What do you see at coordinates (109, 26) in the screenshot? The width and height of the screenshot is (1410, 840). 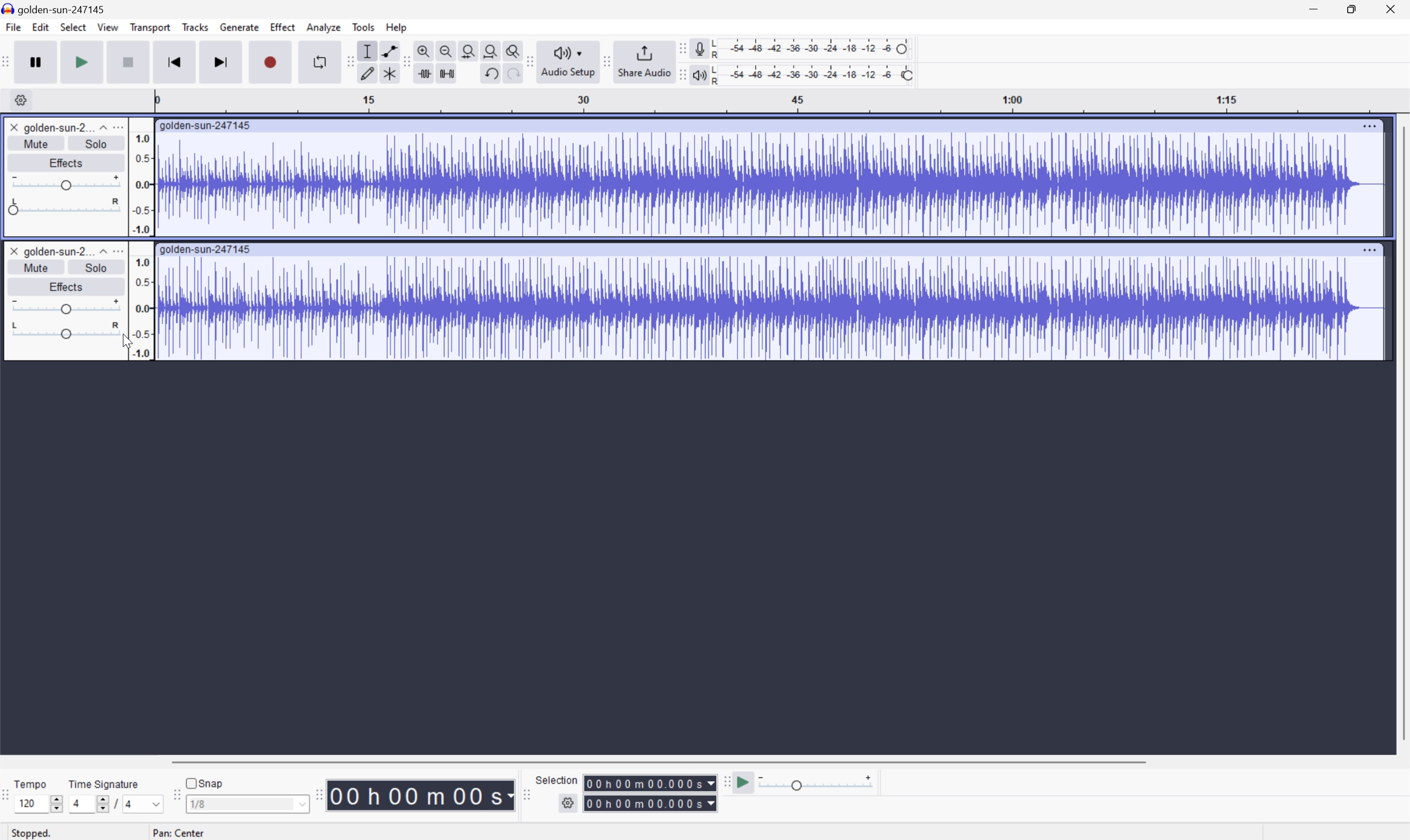 I see `View` at bounding box center [109, 26].